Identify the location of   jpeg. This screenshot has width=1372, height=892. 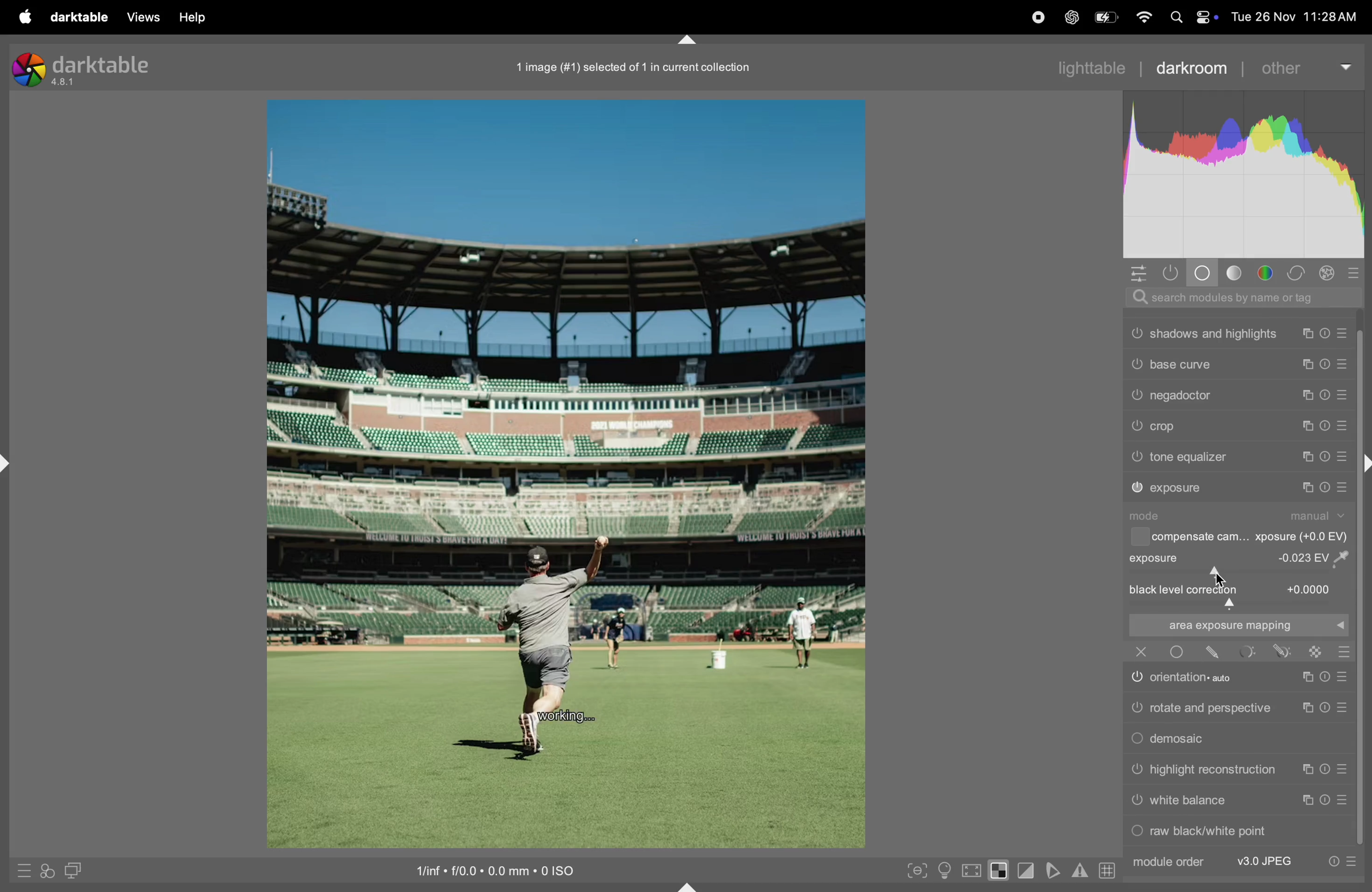
(1266, 861).